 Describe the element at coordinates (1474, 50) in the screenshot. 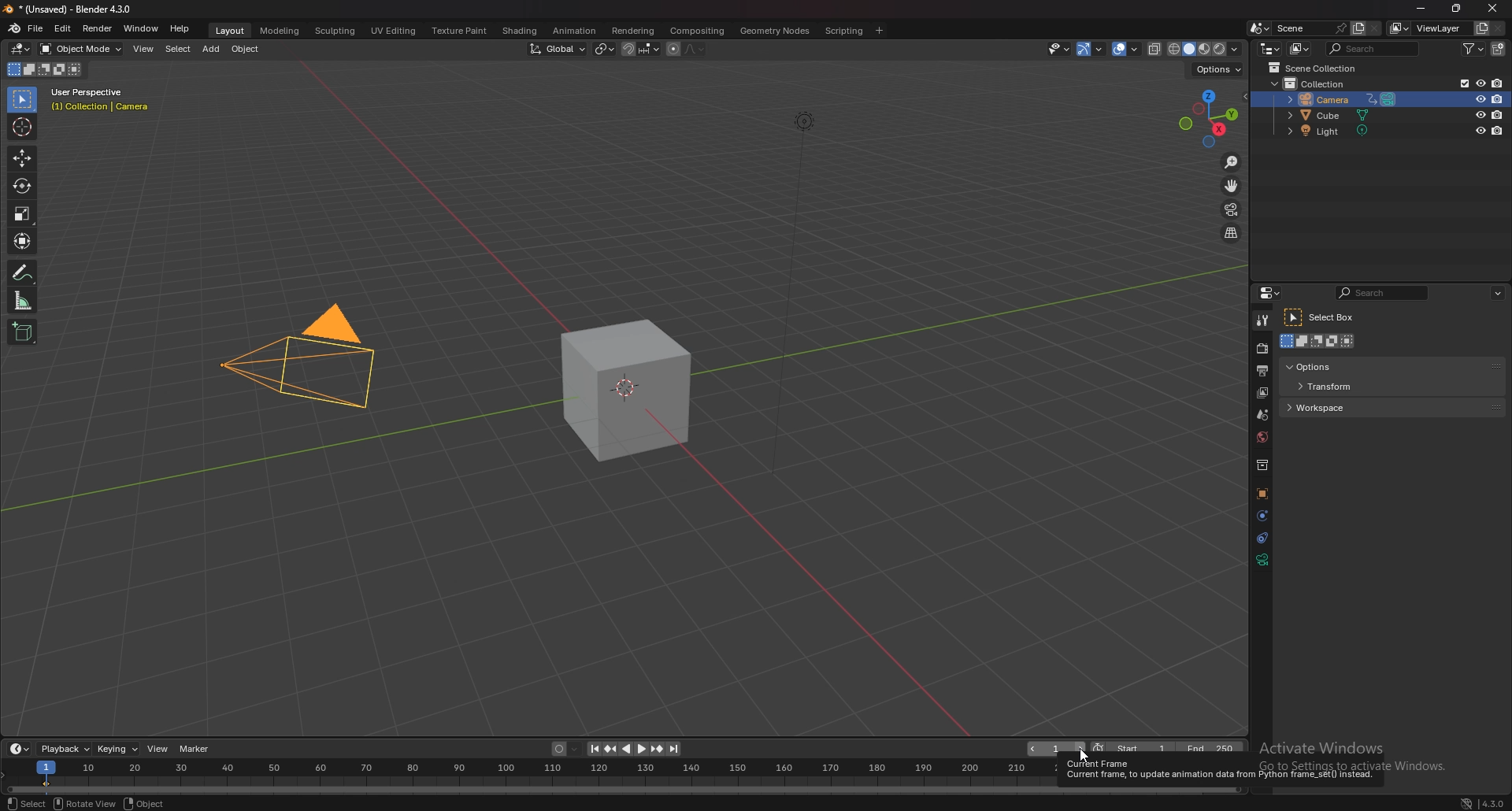

I see `filter` at that location.